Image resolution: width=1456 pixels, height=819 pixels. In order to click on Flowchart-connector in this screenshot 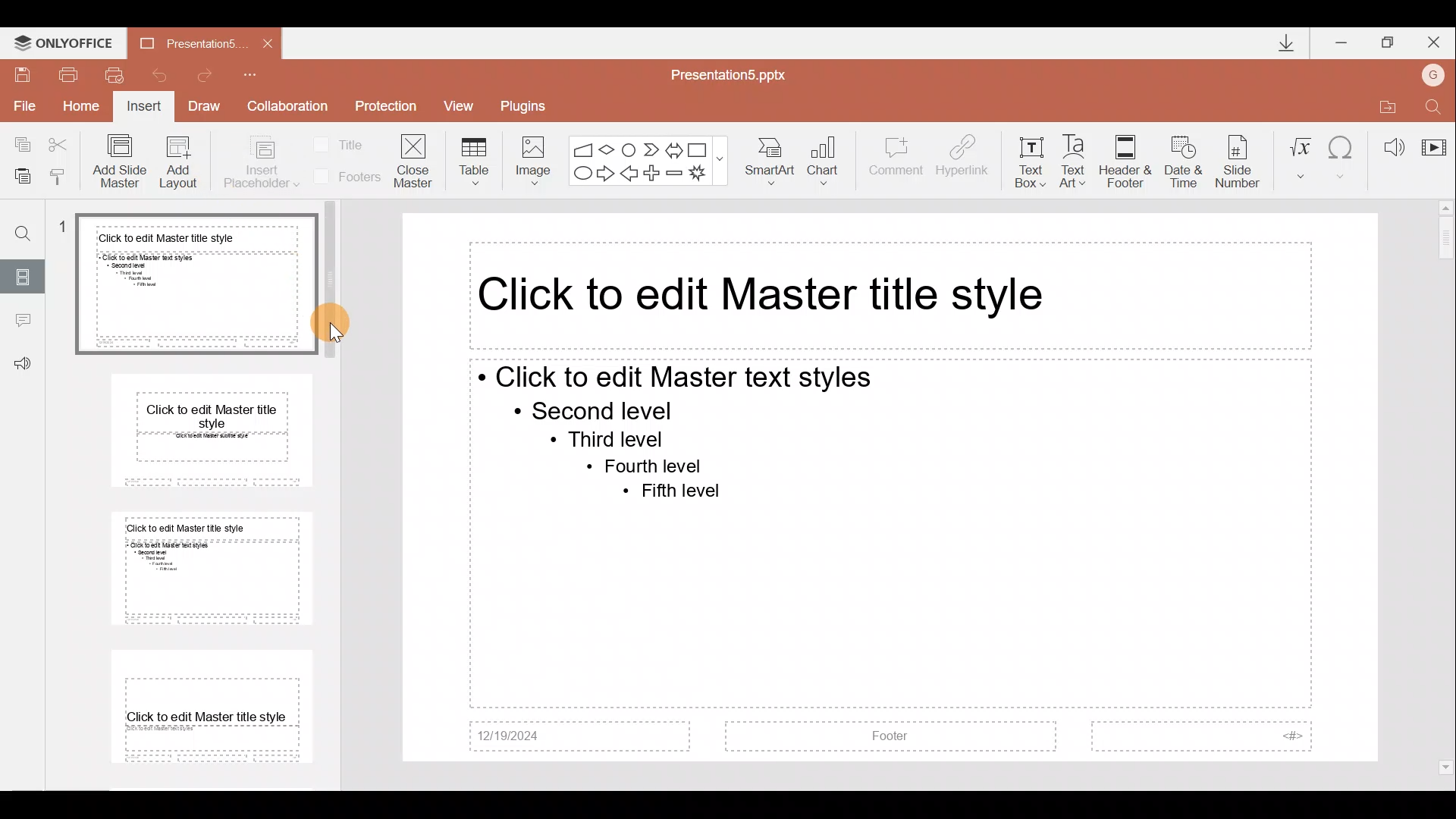, I will do `click(629, 146)`.